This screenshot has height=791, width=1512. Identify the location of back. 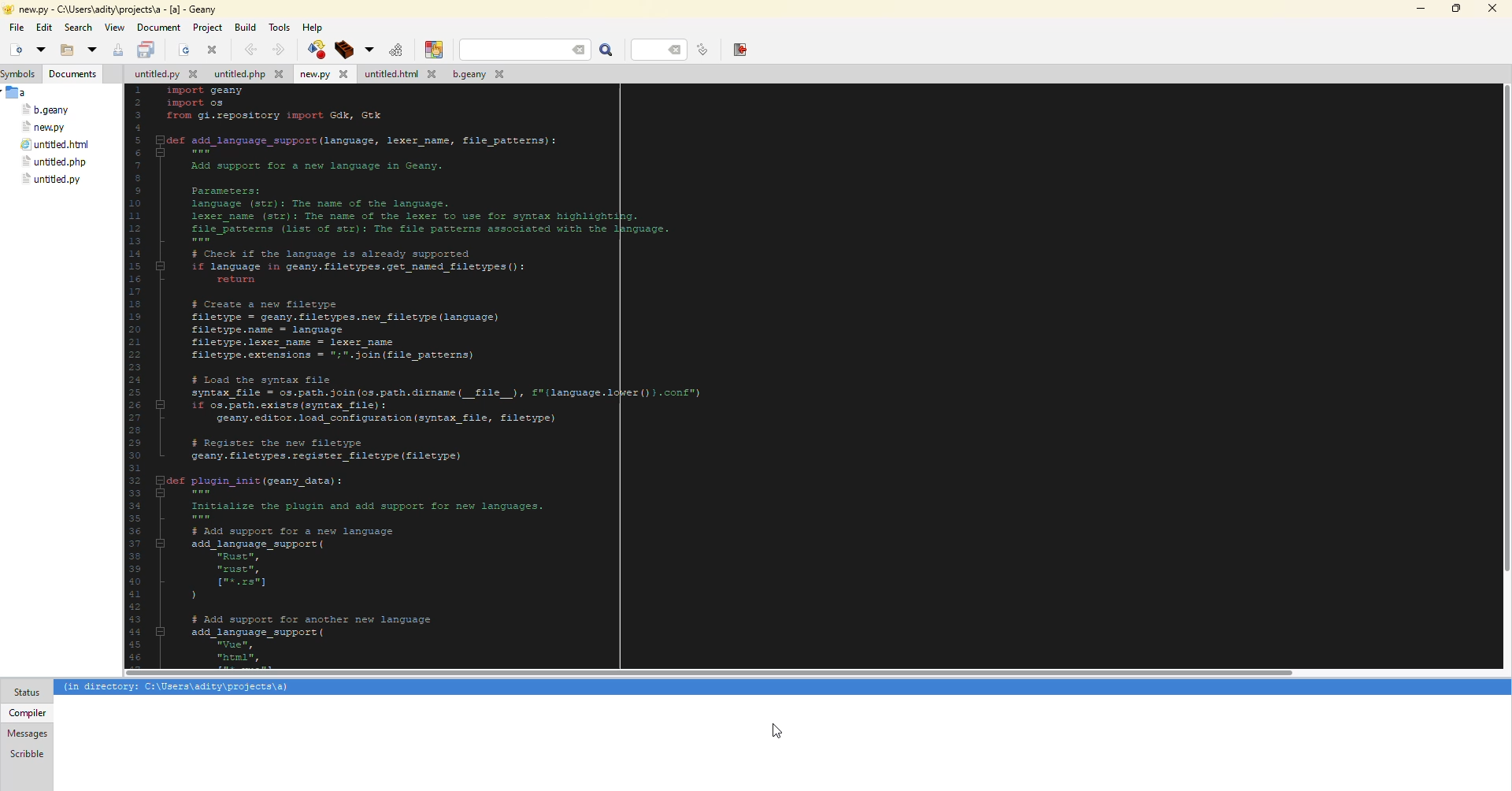
(250, 50).